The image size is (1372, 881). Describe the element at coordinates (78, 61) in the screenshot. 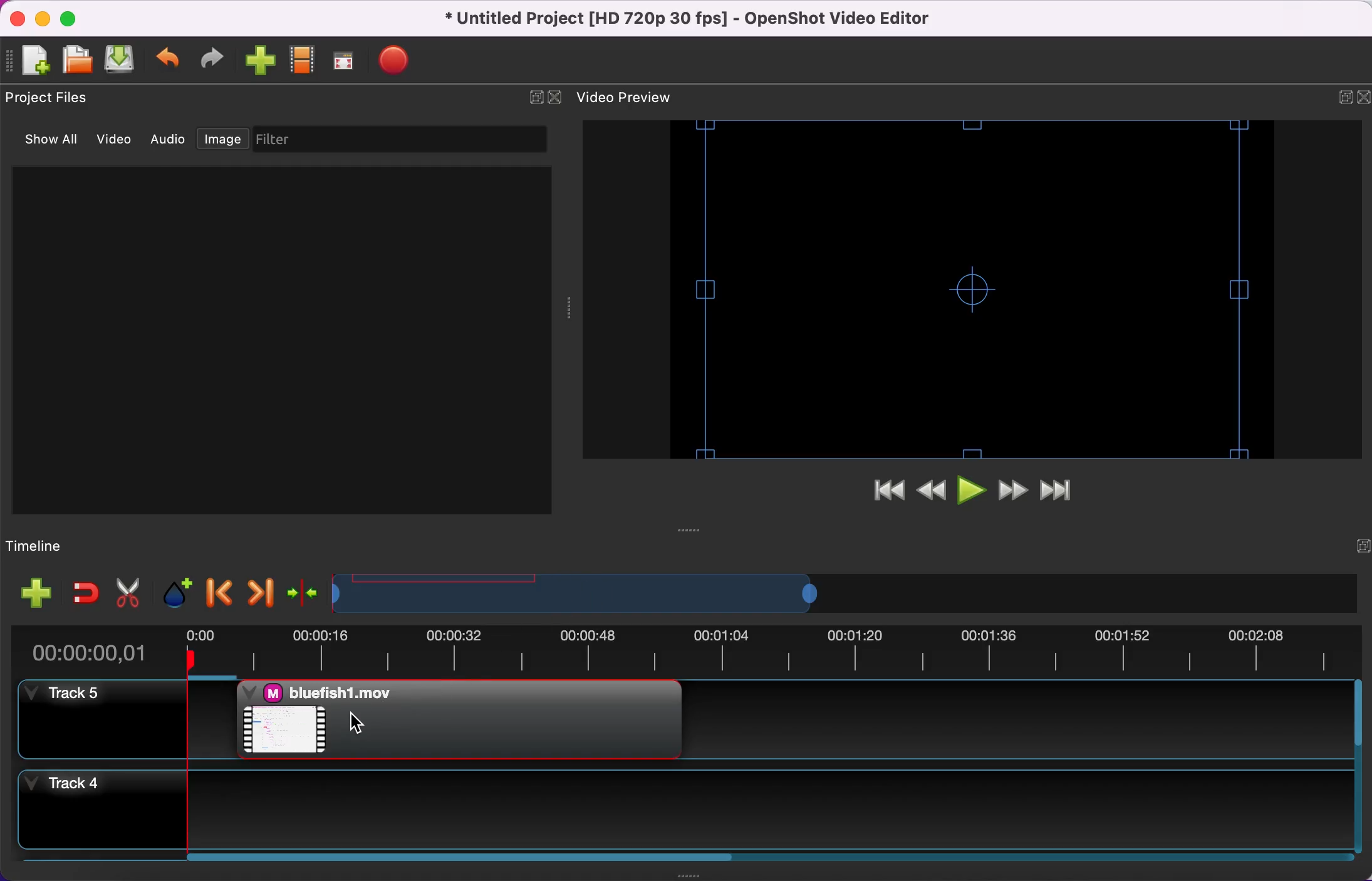

I see `open file` at that location.